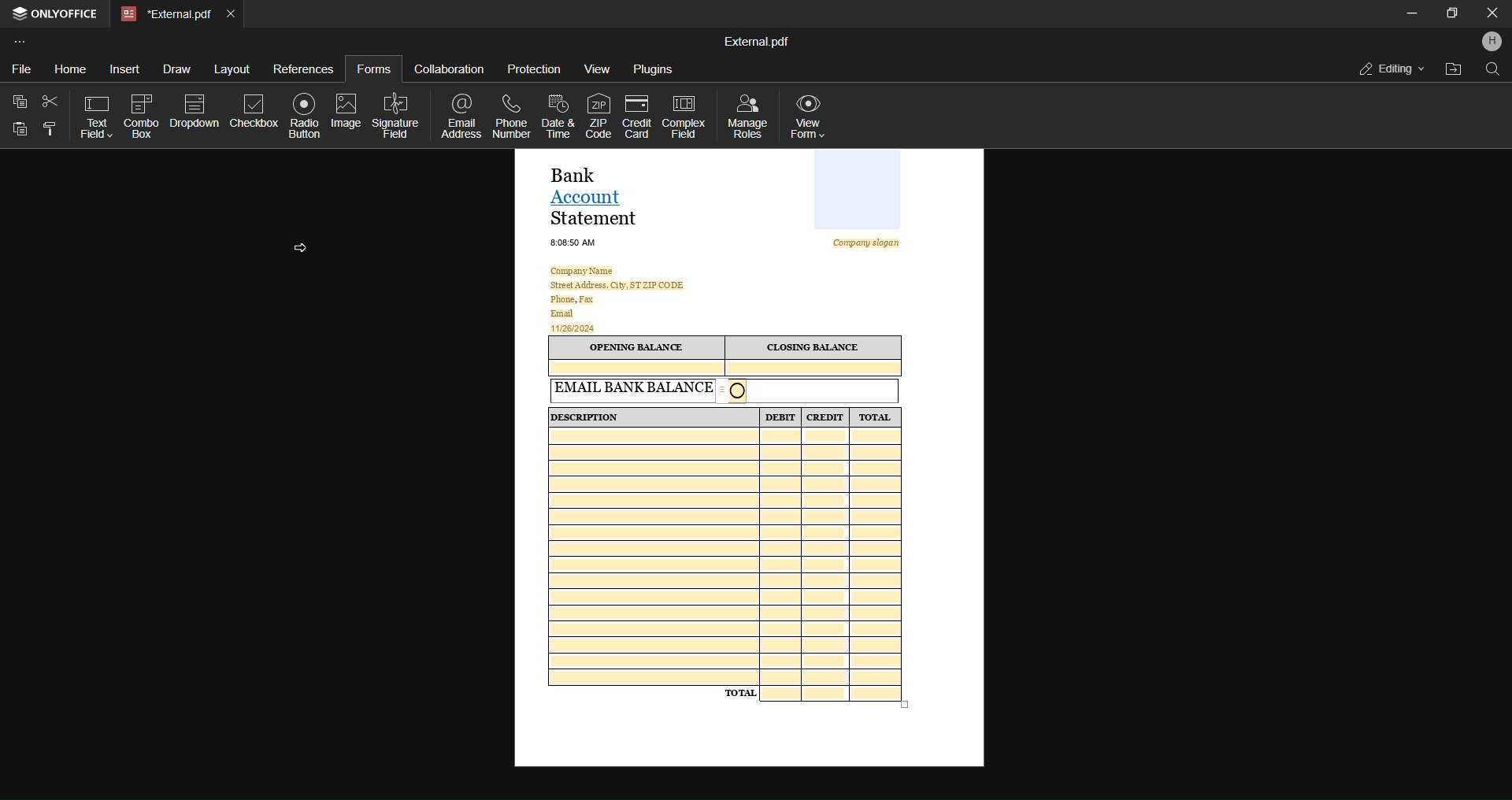  Describe the element at coordinates (305, 118) in the screenshot. I see `radio button` at that location.